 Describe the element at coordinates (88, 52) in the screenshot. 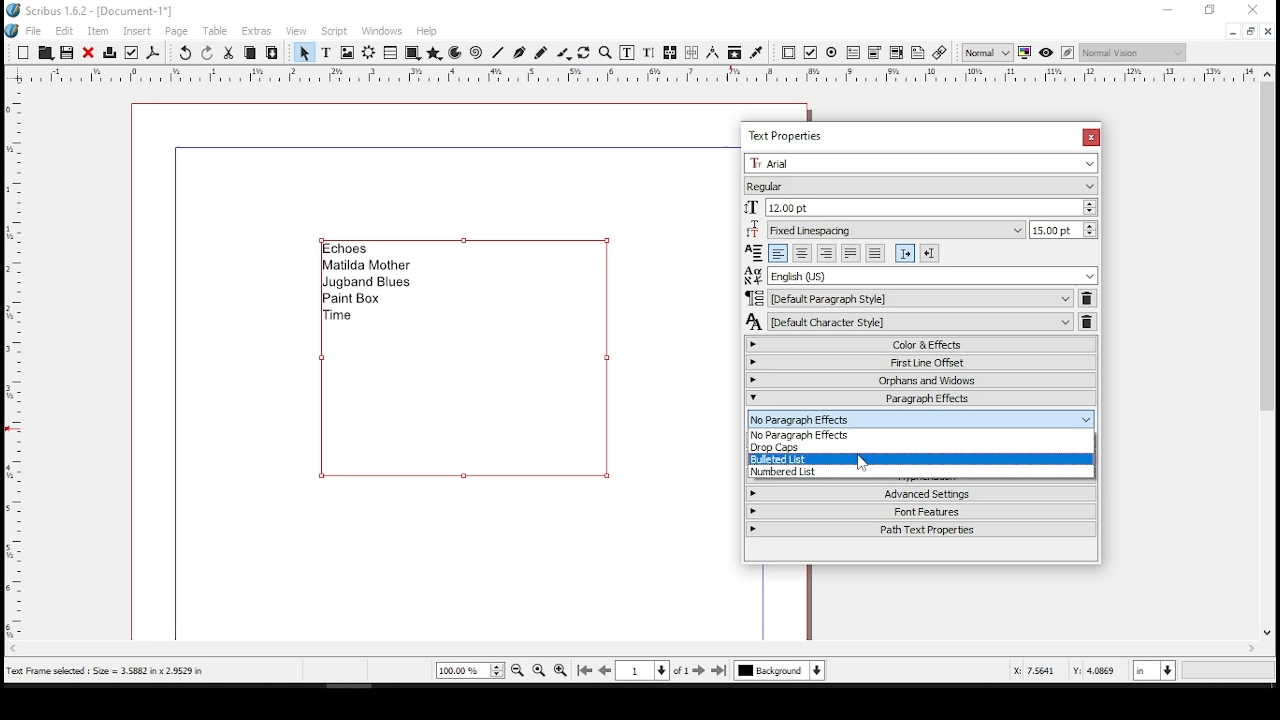

I see `close` at that location.